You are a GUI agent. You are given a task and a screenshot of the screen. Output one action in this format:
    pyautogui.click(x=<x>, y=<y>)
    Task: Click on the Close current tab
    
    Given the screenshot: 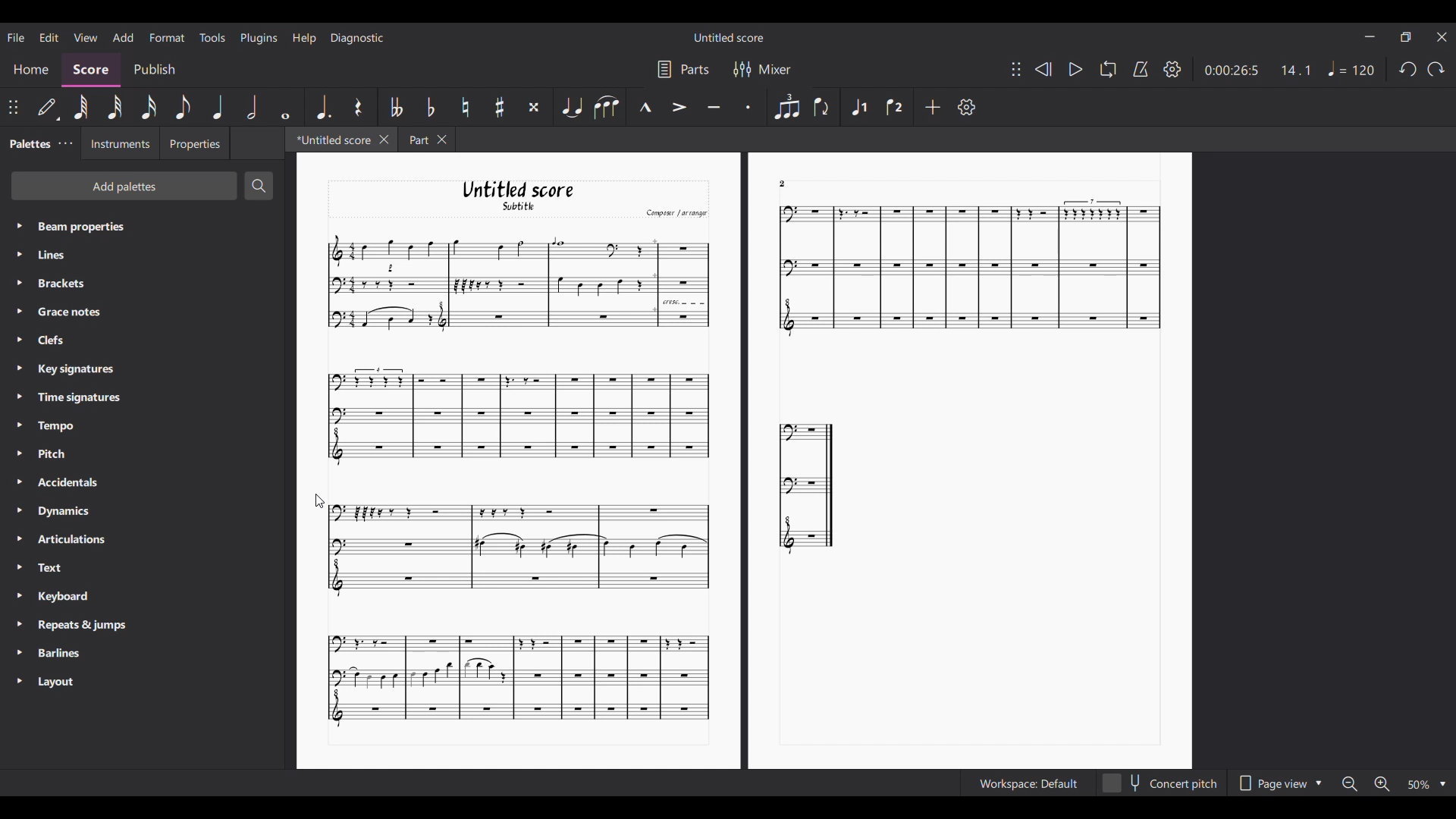 What is the action you would take?
    pyautogui.click(x=384, y=139)
    